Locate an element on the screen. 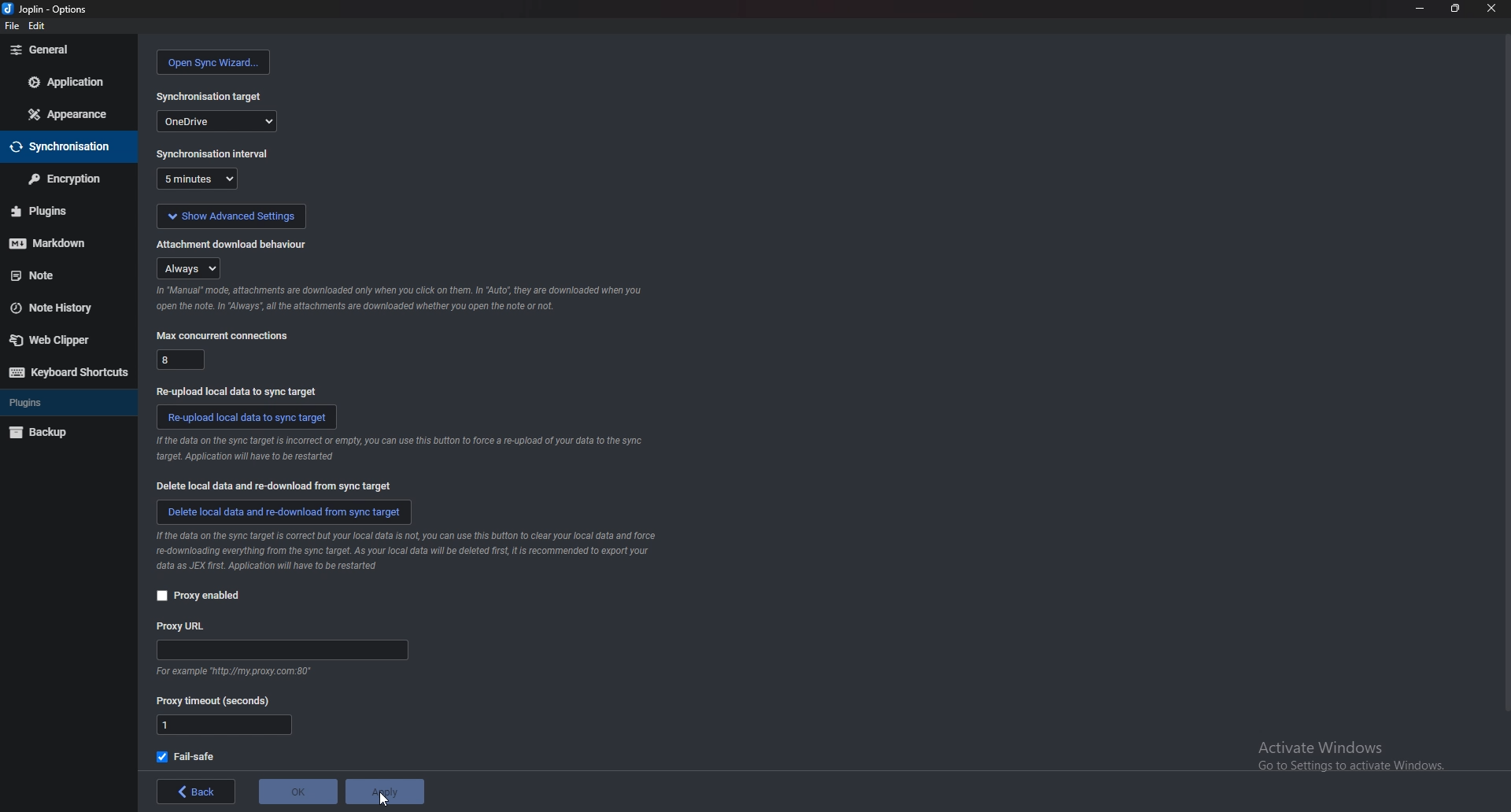  application is located at coordinates (69, 80).